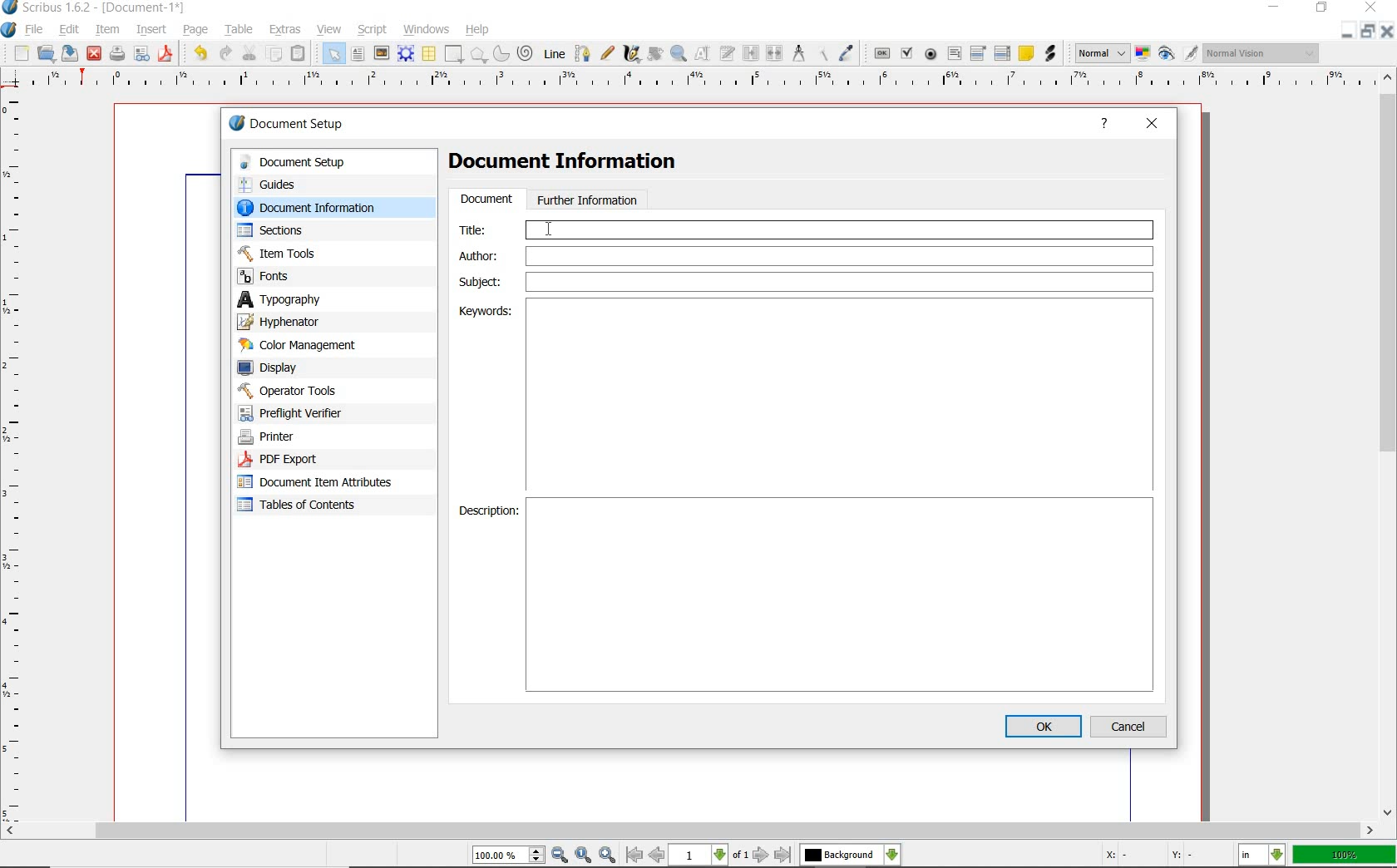 Image resolution: width=1397 pixels, height=868 pixels. Describe the element at coordinates (802, 256) in the screenshot. I see `Author` at that location.